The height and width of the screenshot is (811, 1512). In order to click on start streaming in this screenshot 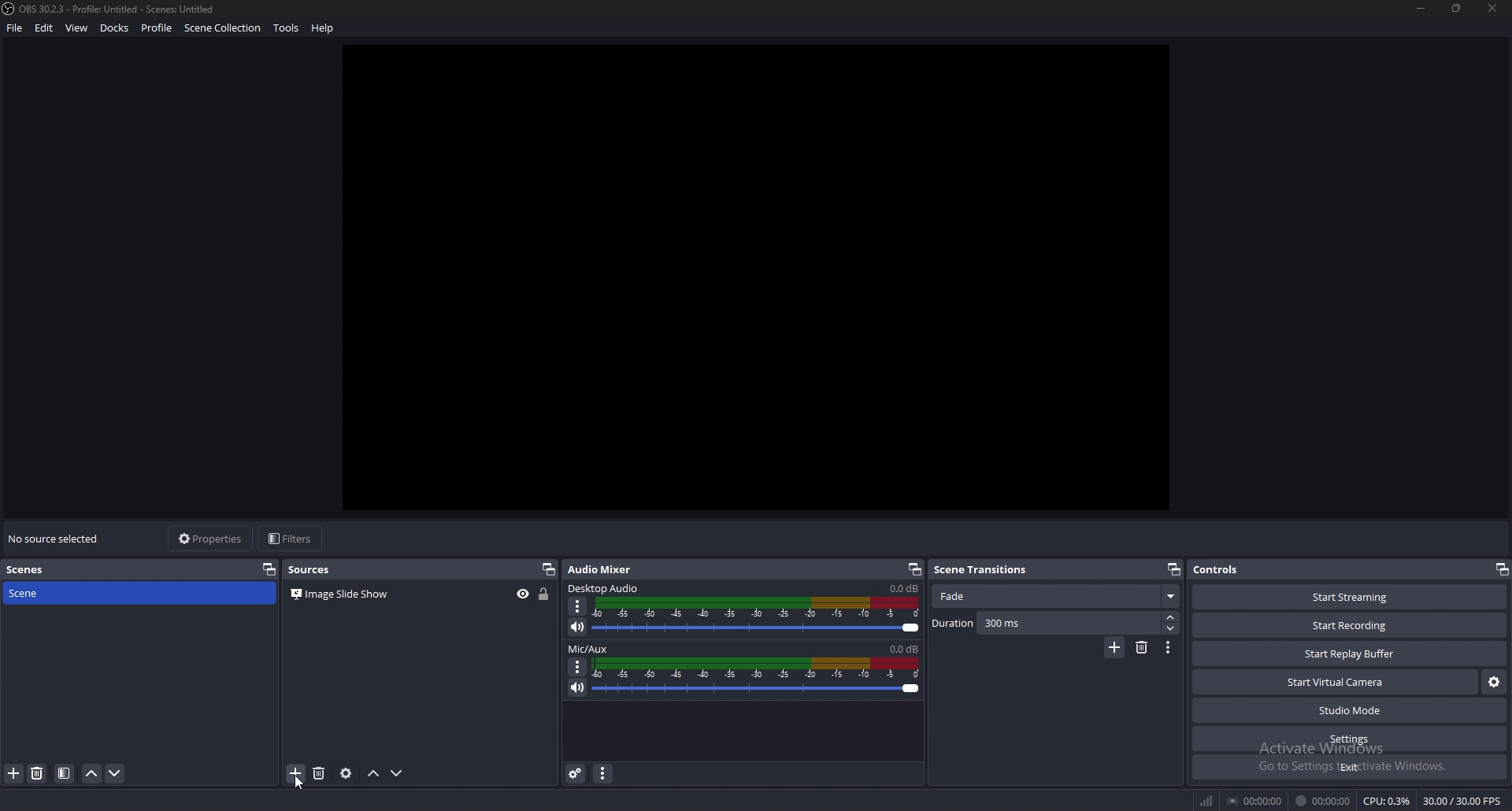, I will do `click(1350, 598)`.